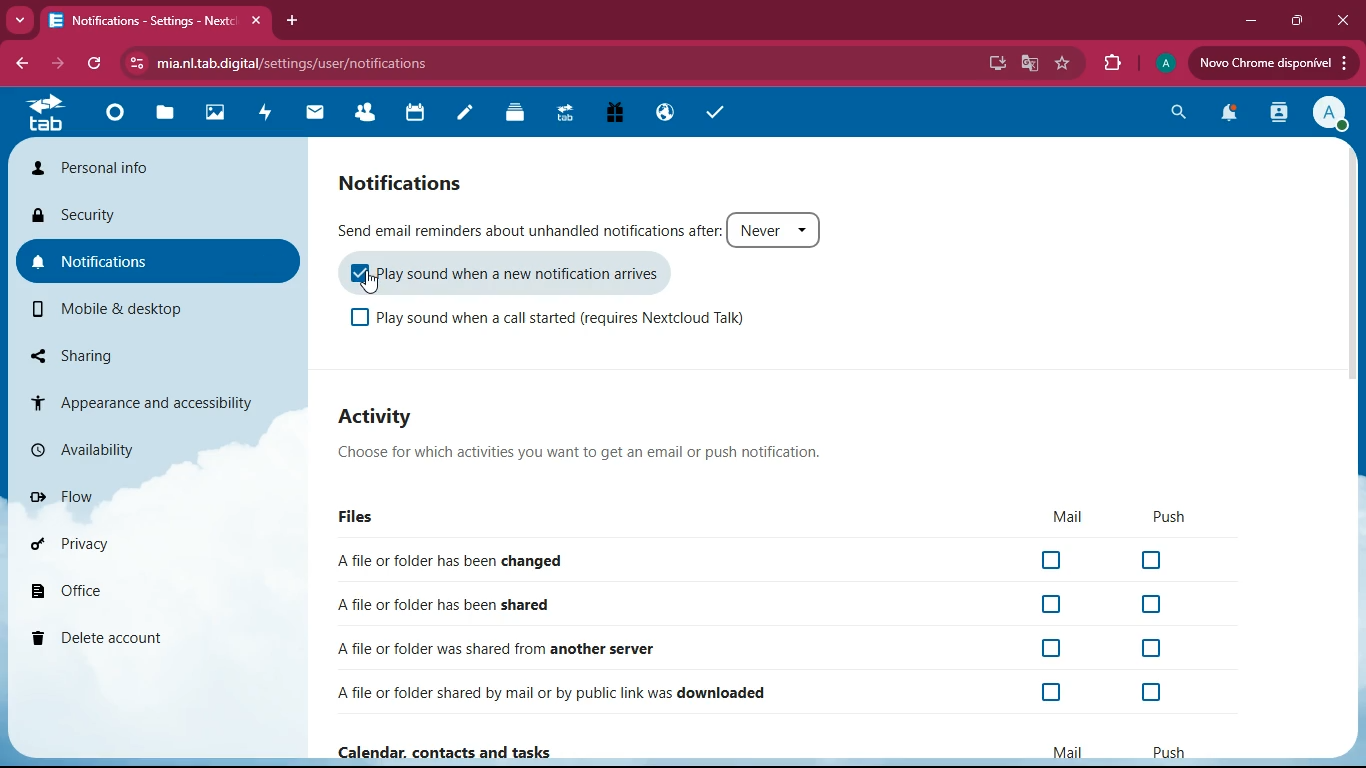  What do you see at coordinates (134, 445) in the screenshot?
I see `availability` at bounding box center [134, 445].